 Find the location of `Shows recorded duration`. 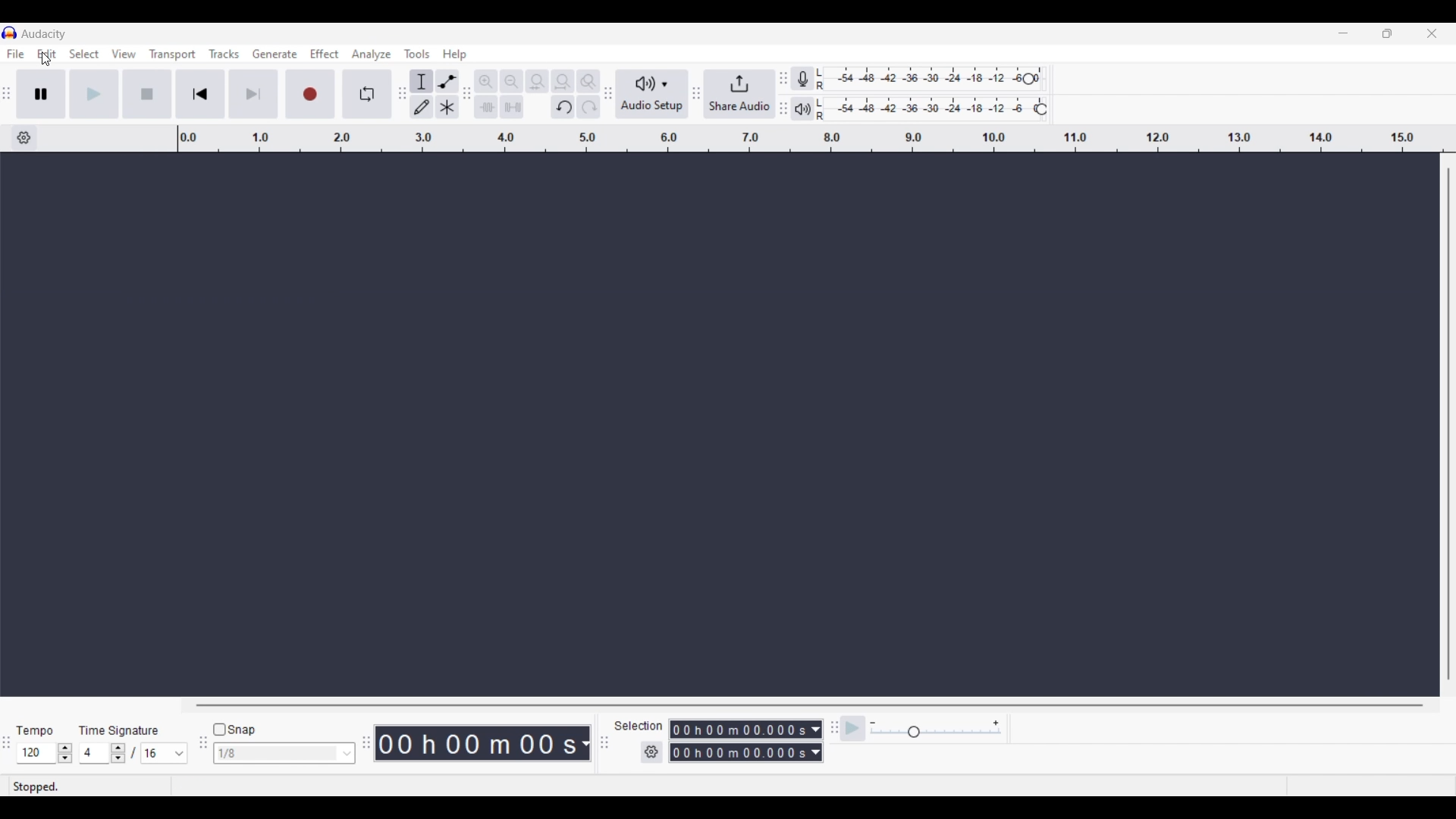

Shows recorded duration is located at coordinates (476, 743).